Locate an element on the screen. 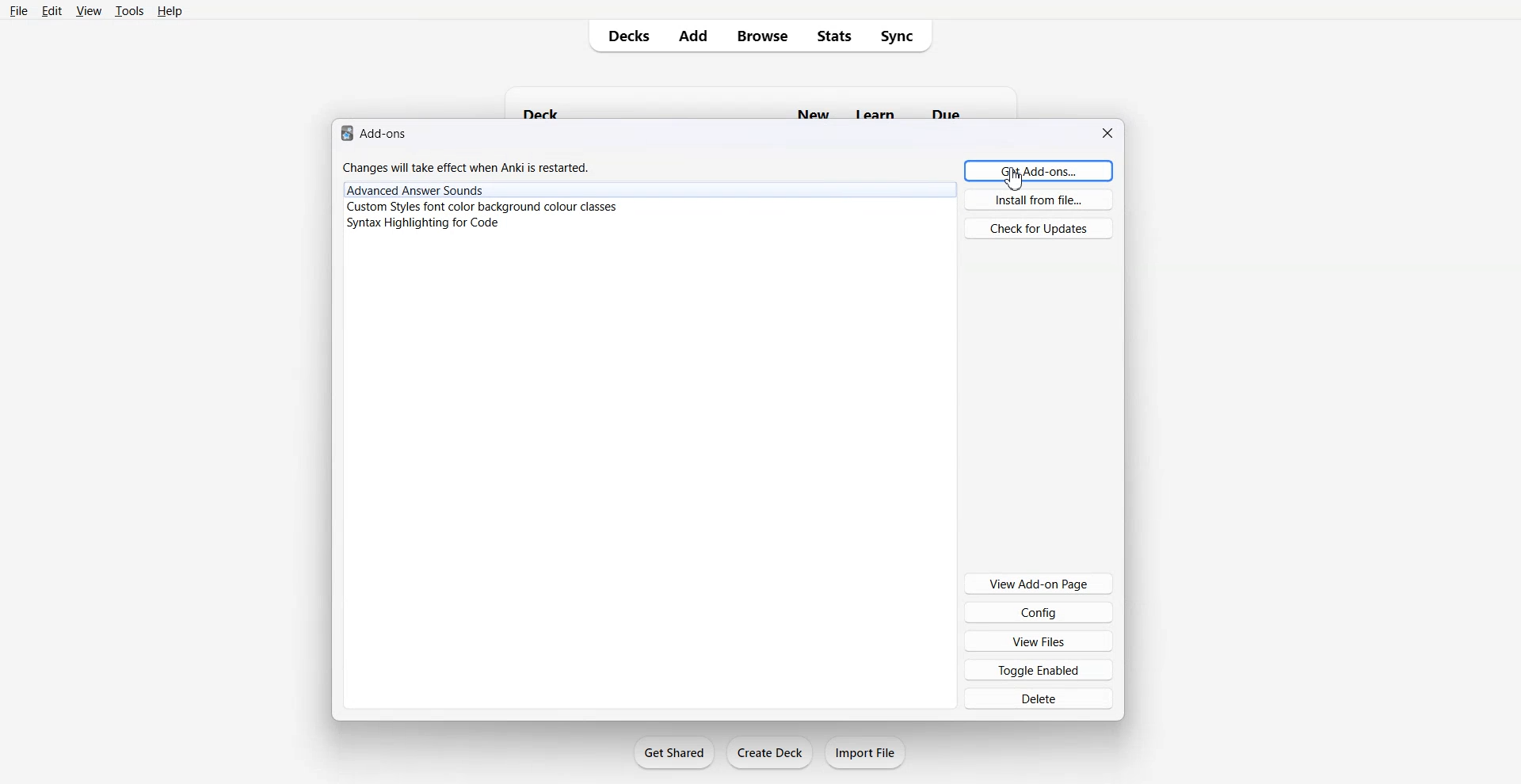 The image size is (1521, 784). Plugins is located at coordinates (650, 207).